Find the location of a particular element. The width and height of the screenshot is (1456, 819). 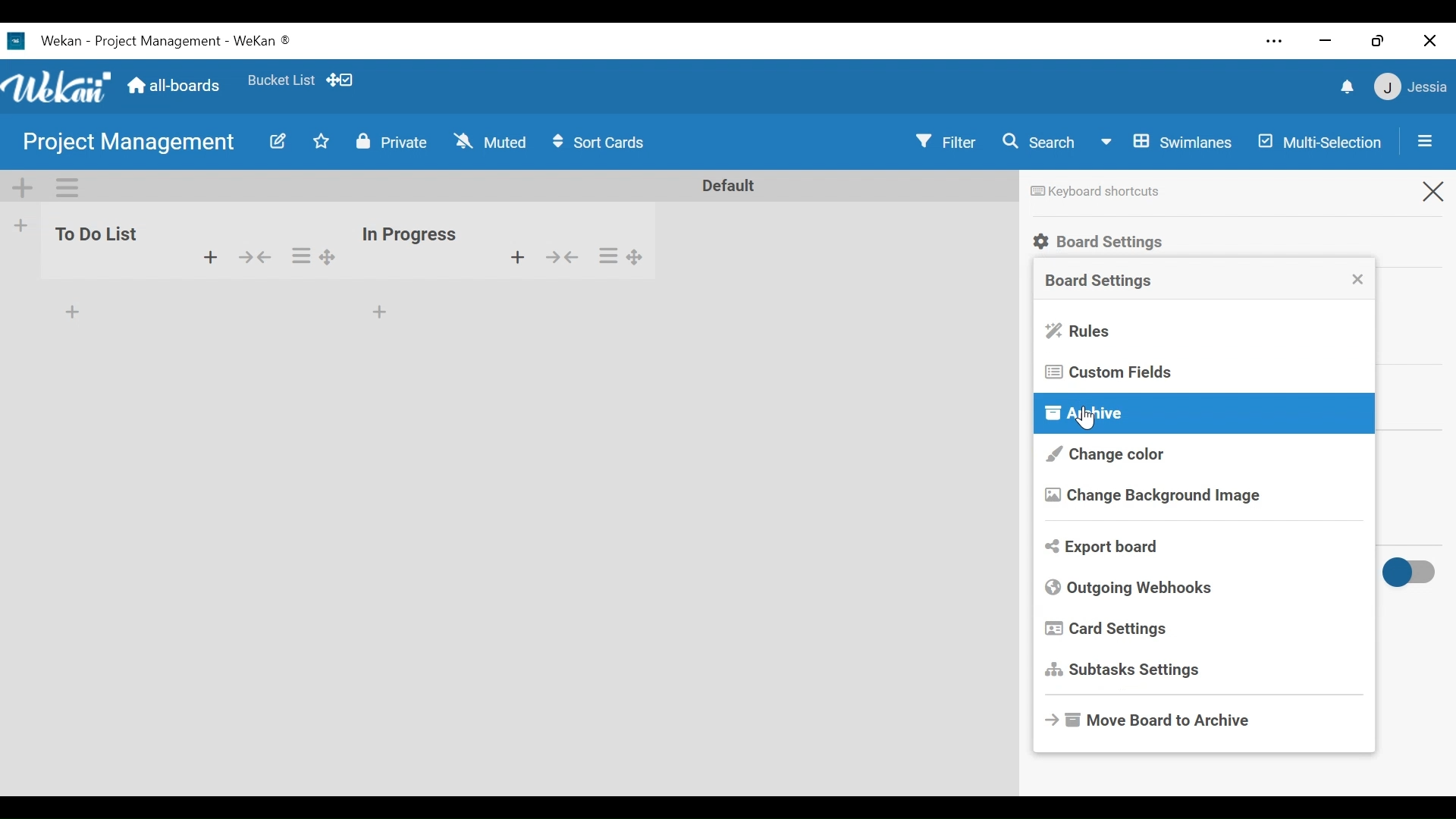

Wekan Desktop Icon is located at coordinates (149, 42).